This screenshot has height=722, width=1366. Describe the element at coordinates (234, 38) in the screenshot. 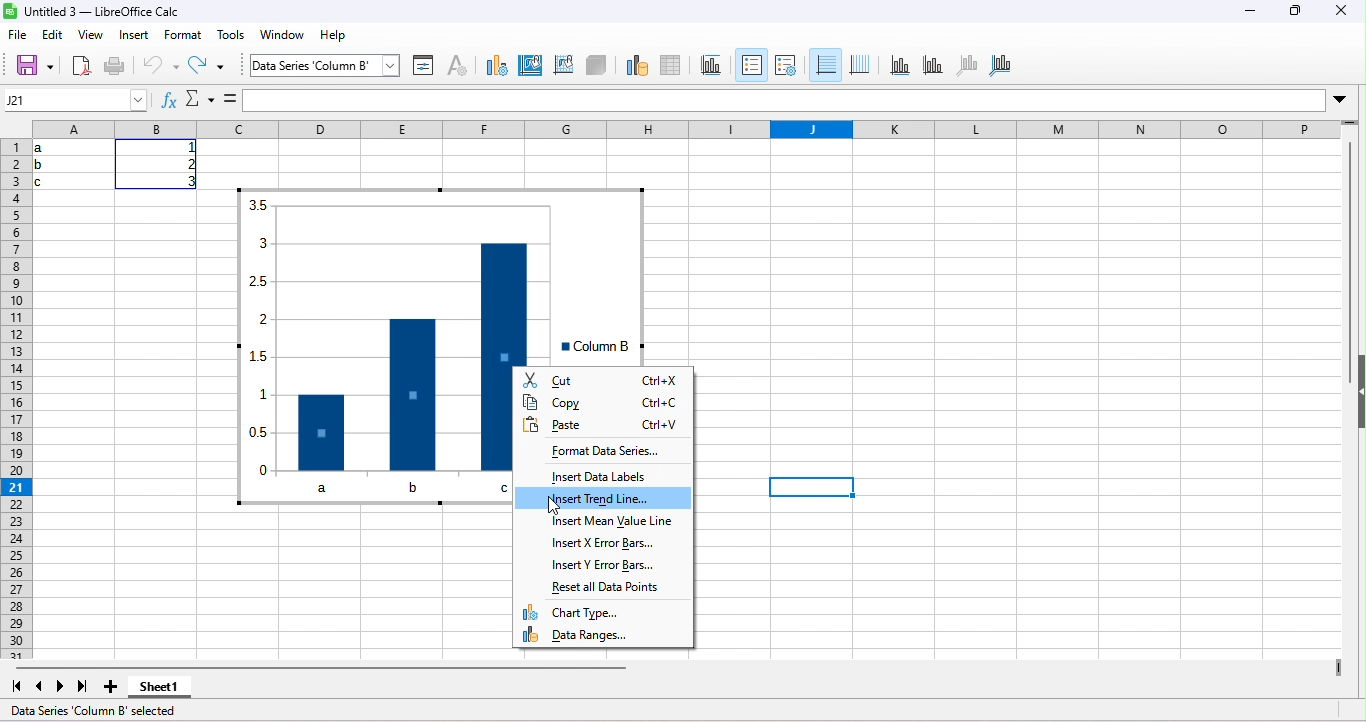

I see `tools` at that location.